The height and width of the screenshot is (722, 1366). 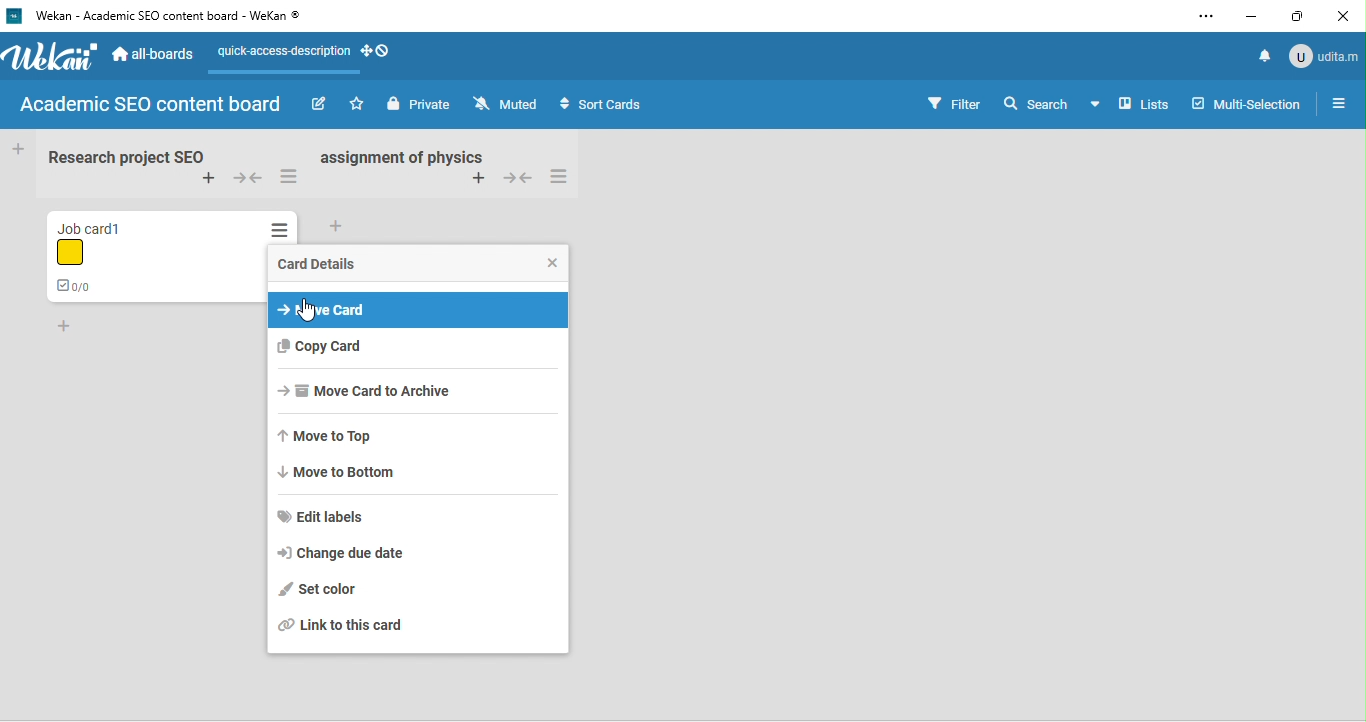 What do you see at coordinates (479, 183) in the screenshot?
I see `add card` at bounding box center [479, 183].